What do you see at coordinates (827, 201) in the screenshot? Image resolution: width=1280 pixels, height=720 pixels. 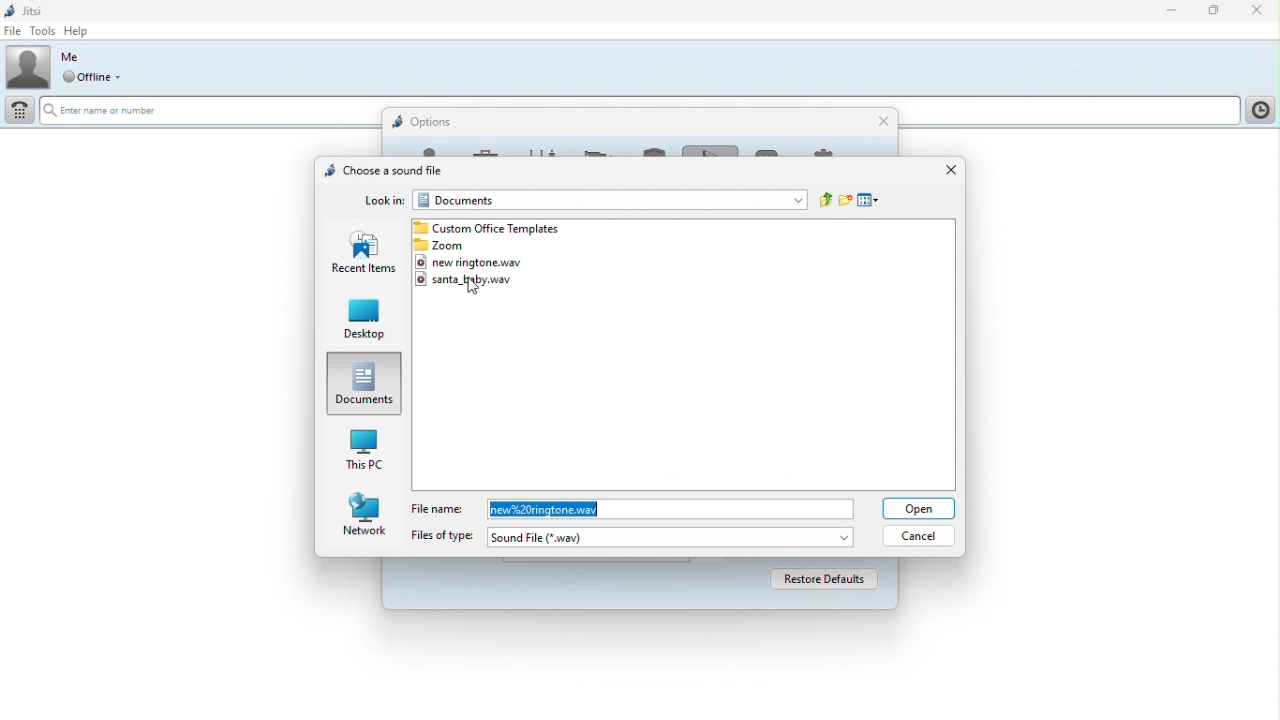 I see `up one level` at bounding box center [827, 201].